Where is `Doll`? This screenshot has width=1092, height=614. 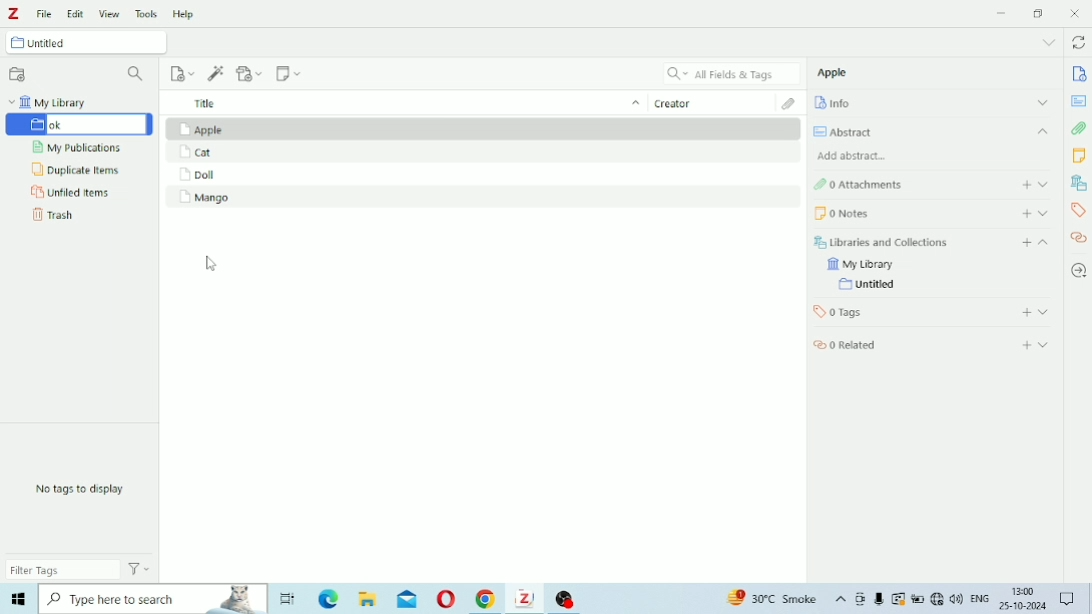 Doll is located at coordinates (206, 175).